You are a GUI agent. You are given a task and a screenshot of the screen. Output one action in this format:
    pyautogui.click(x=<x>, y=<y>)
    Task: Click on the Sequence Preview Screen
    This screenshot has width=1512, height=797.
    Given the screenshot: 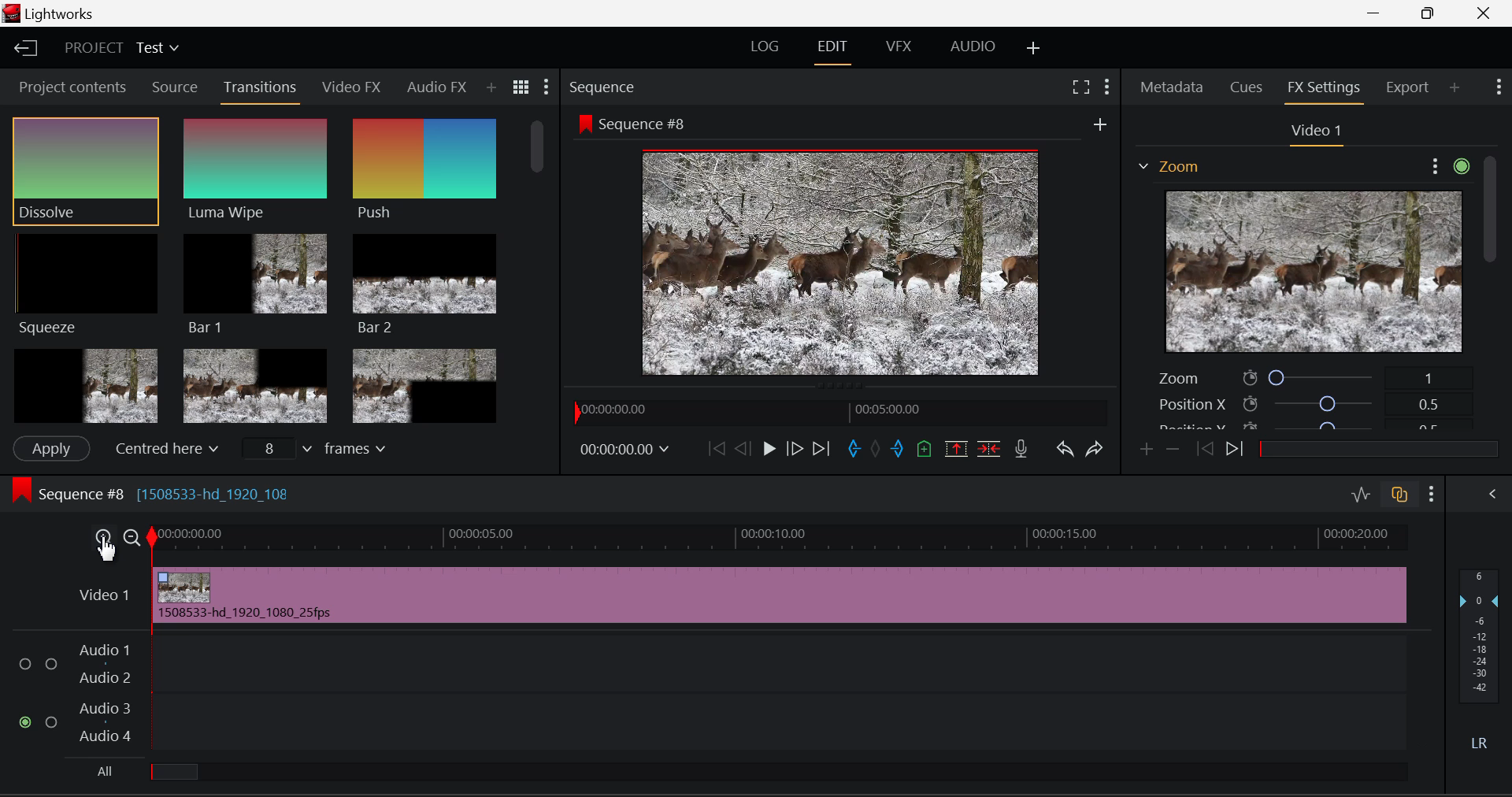 What is the action you would take?
    pyautogui.click(x=841, y=241)
    